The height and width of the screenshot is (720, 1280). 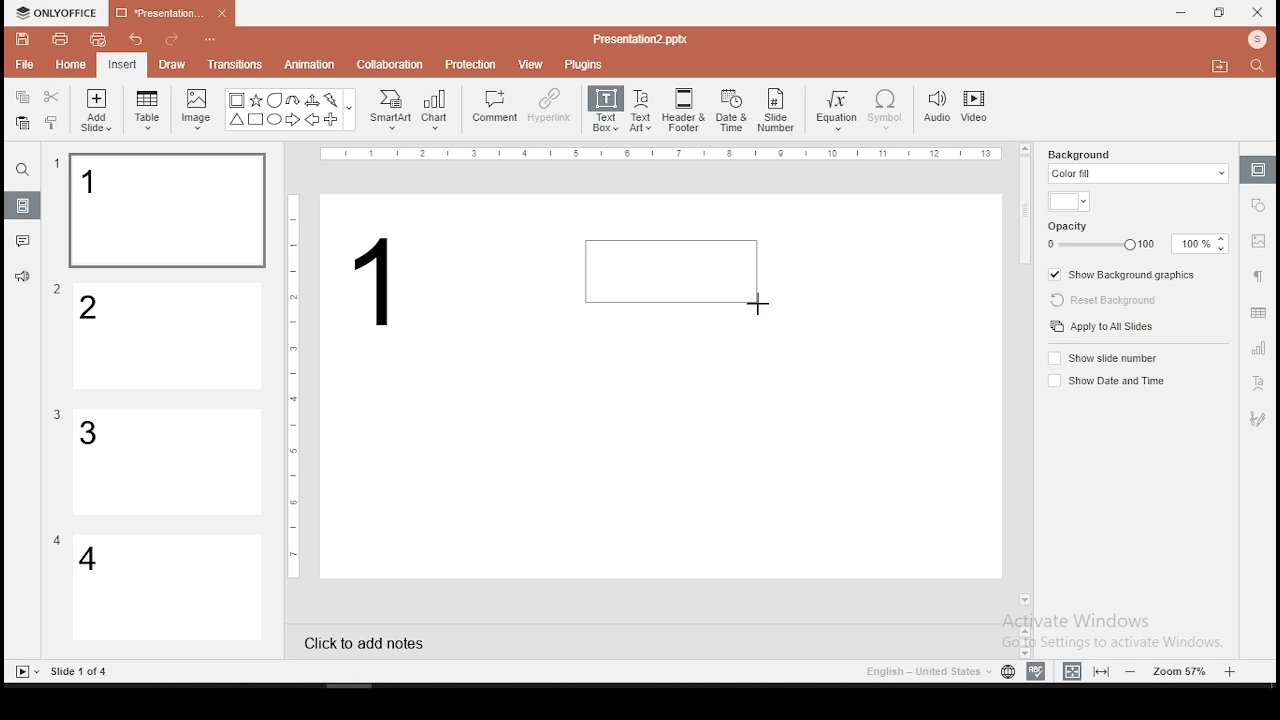 What do you see at coordinates (1263, 67) in the screenshot?
I see `Search` at bounding box center [1263, 67].